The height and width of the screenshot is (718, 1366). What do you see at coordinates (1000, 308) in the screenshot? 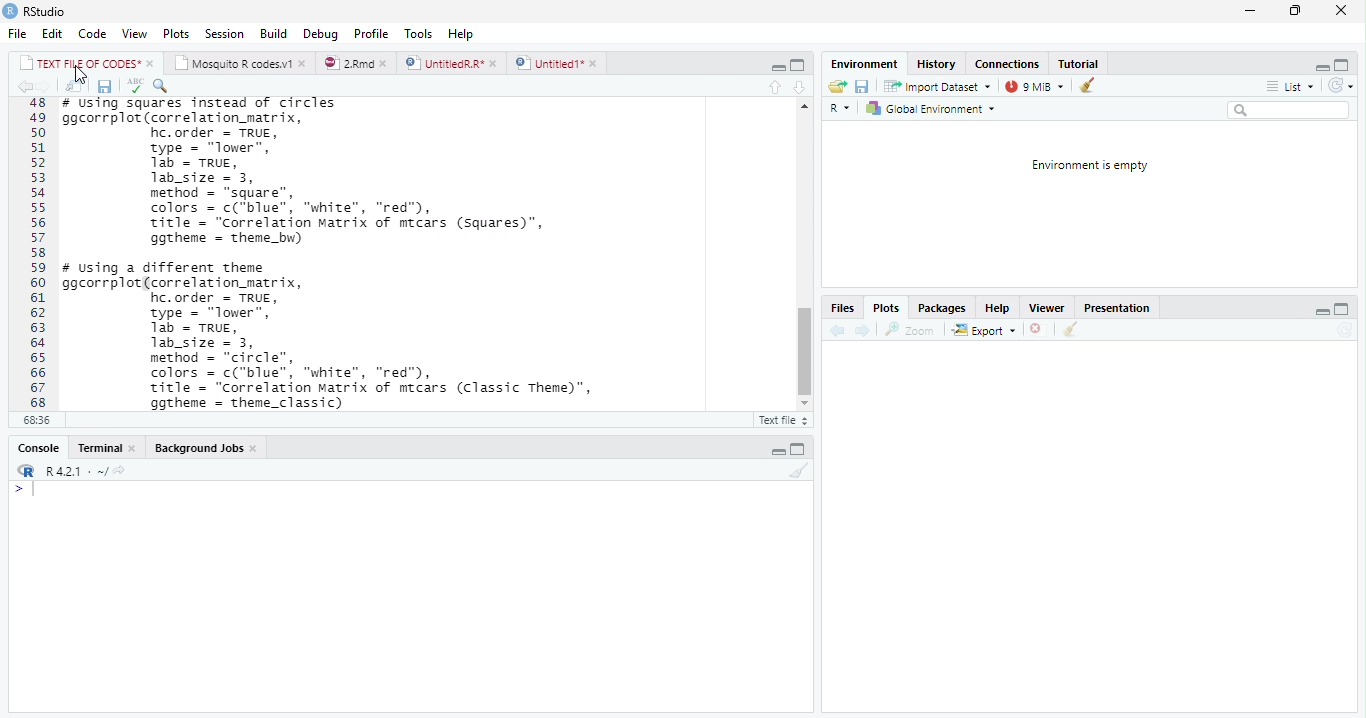
I see `Help` at bounding box center [1000, 308].